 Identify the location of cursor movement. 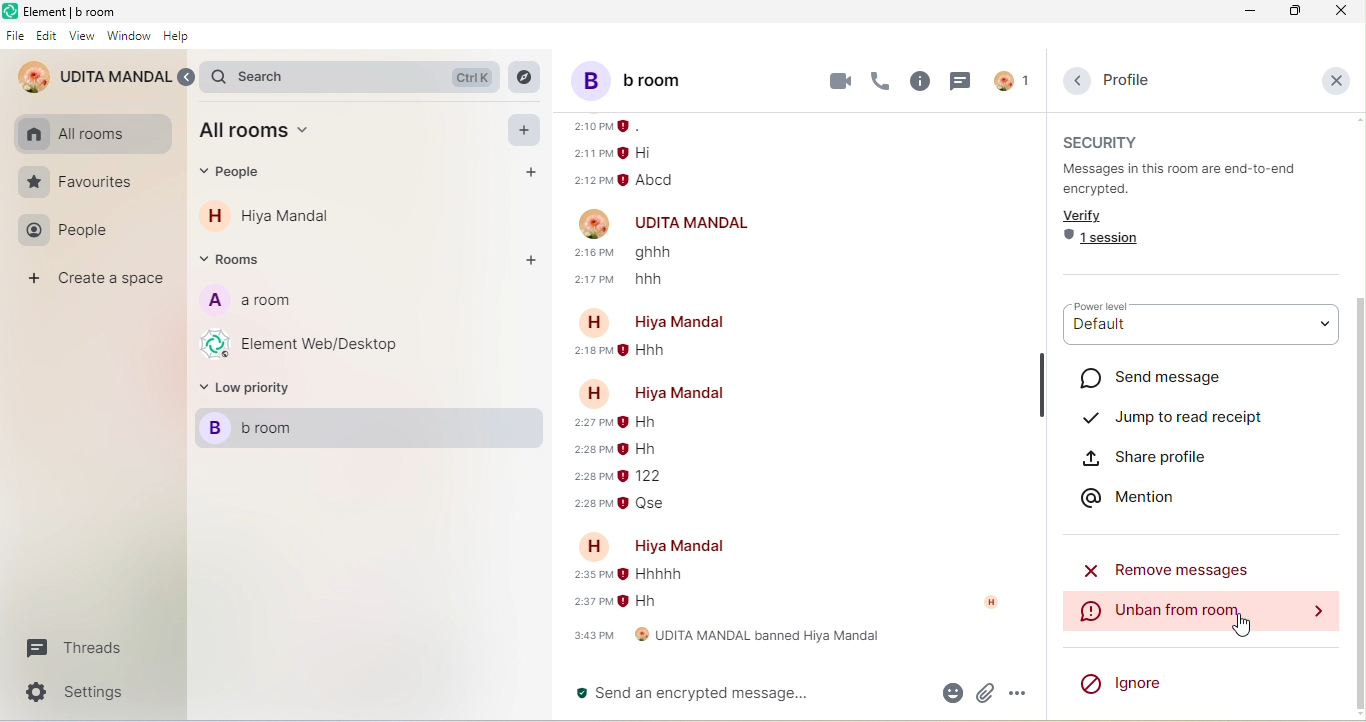
(1250, 625).